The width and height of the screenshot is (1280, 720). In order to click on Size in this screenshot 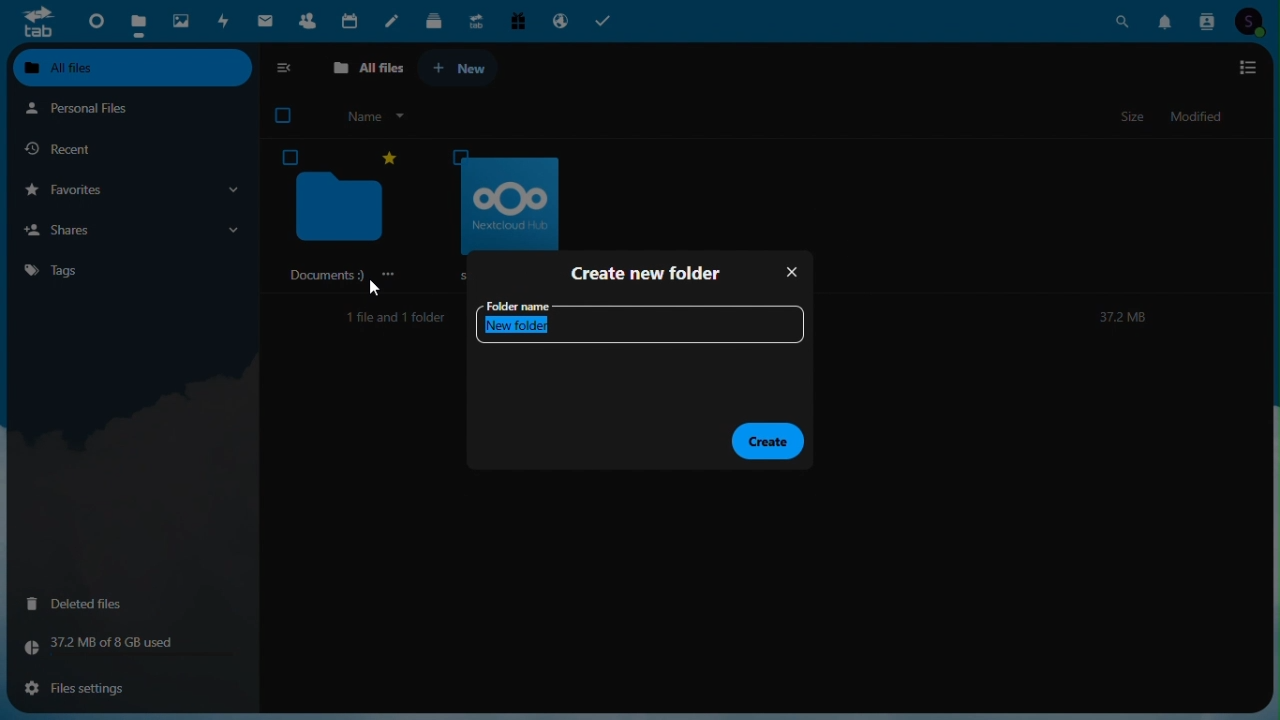, I will do `click(1135, 118)`.